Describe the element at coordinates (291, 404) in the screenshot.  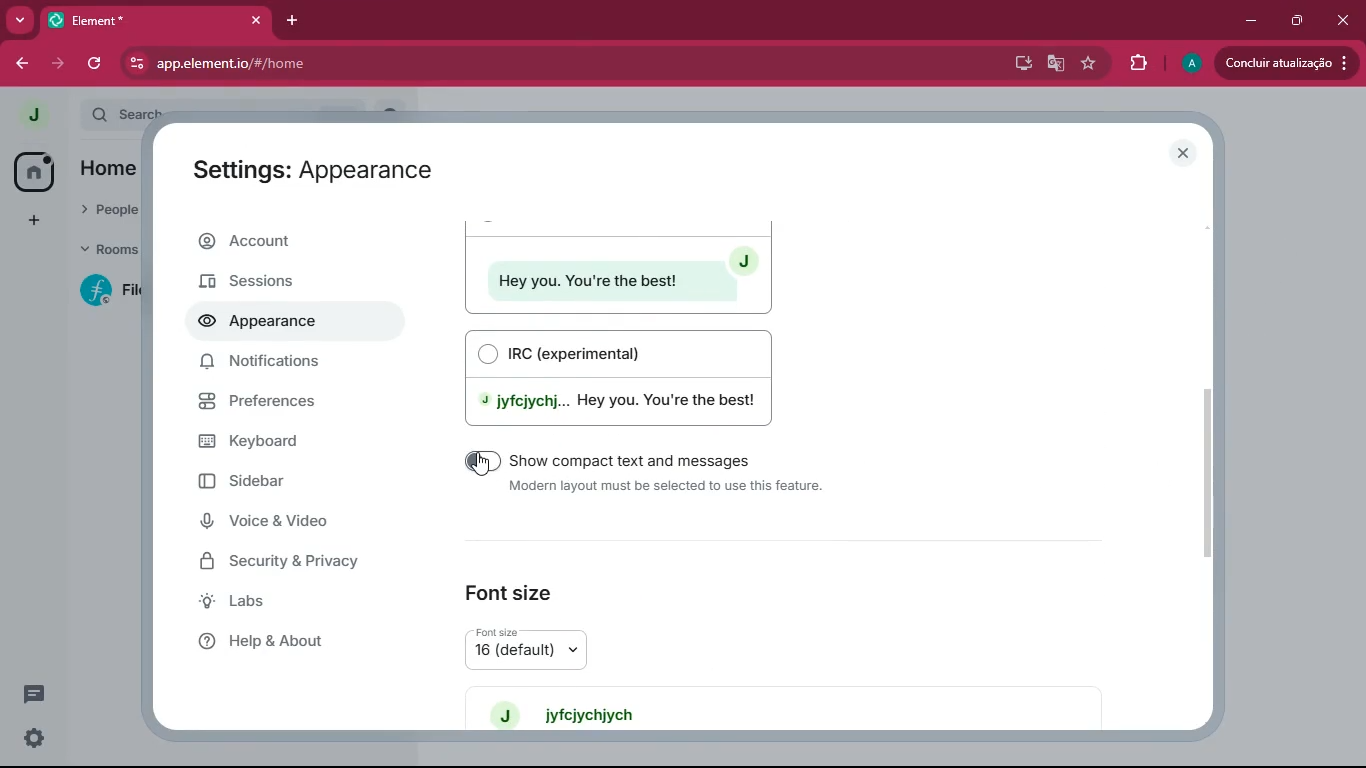
I see `preferences` at that location.